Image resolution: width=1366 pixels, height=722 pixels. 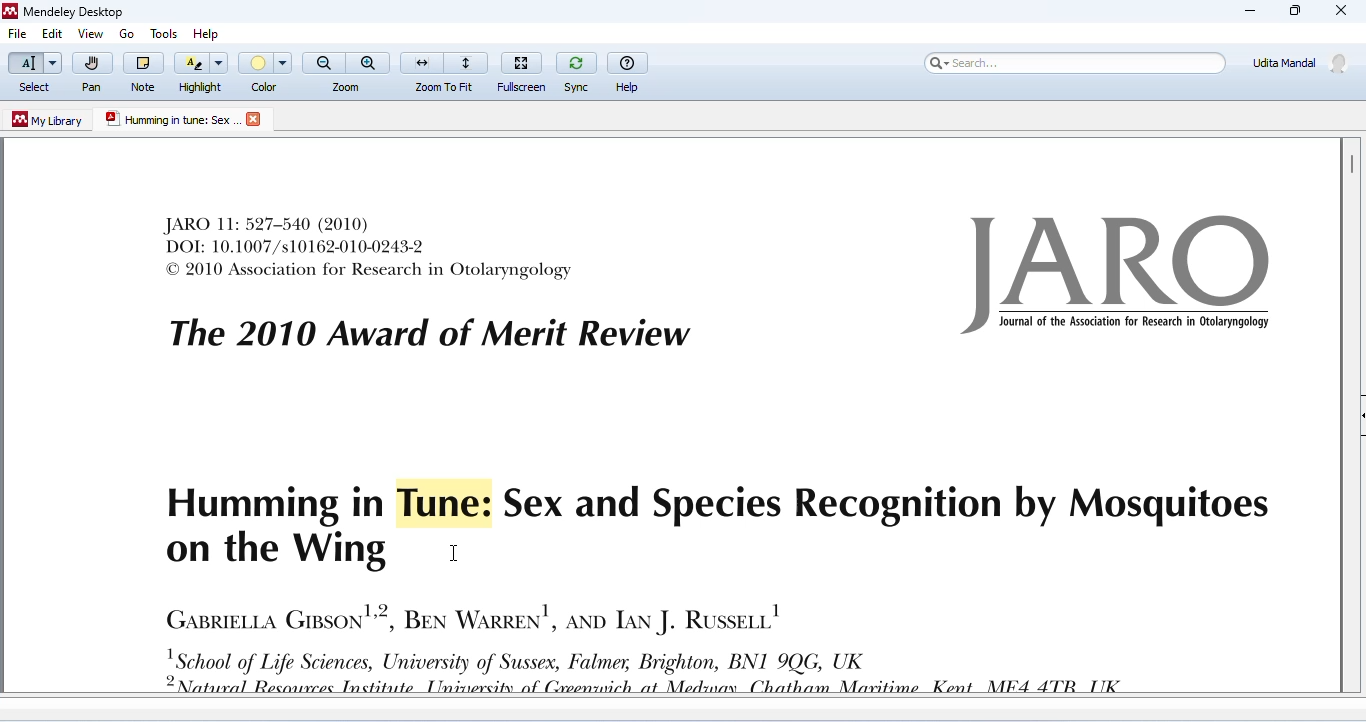 I want to click on view, so click(x=90, y=34).